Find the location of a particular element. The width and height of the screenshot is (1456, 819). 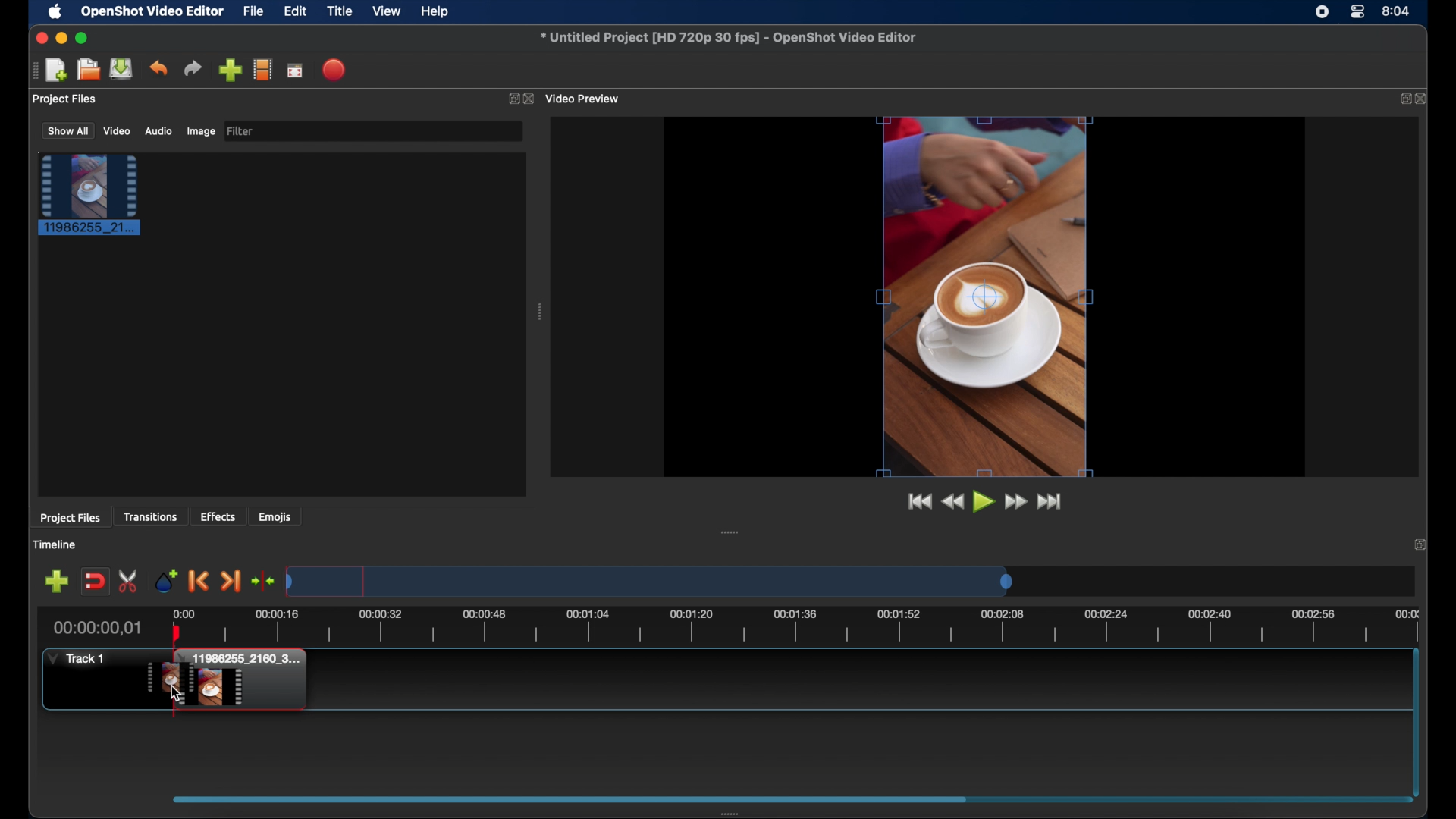

add marker is located at coordinates (167, 581).